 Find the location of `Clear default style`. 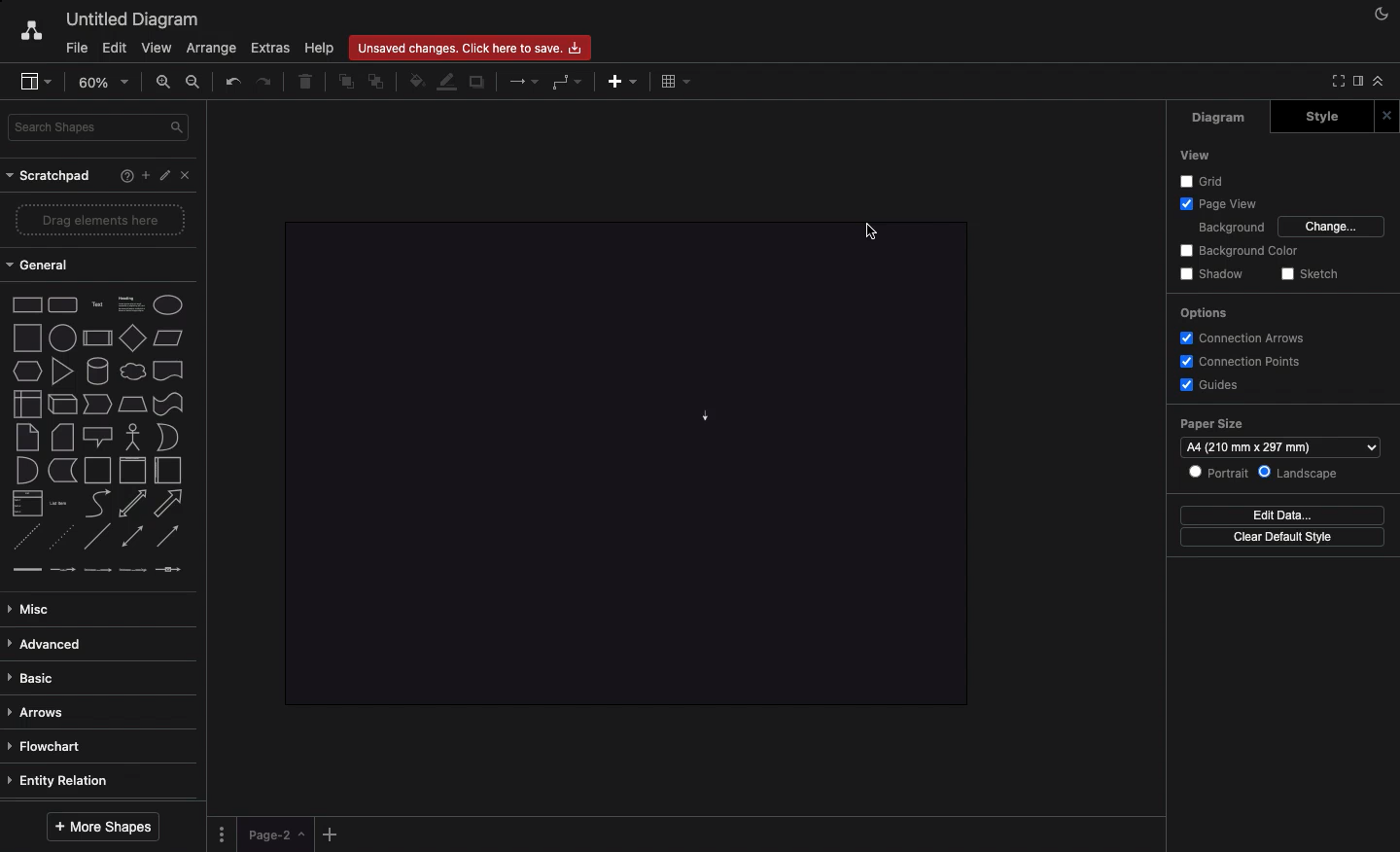

Clear default style is located at coordinates (1282, 538).